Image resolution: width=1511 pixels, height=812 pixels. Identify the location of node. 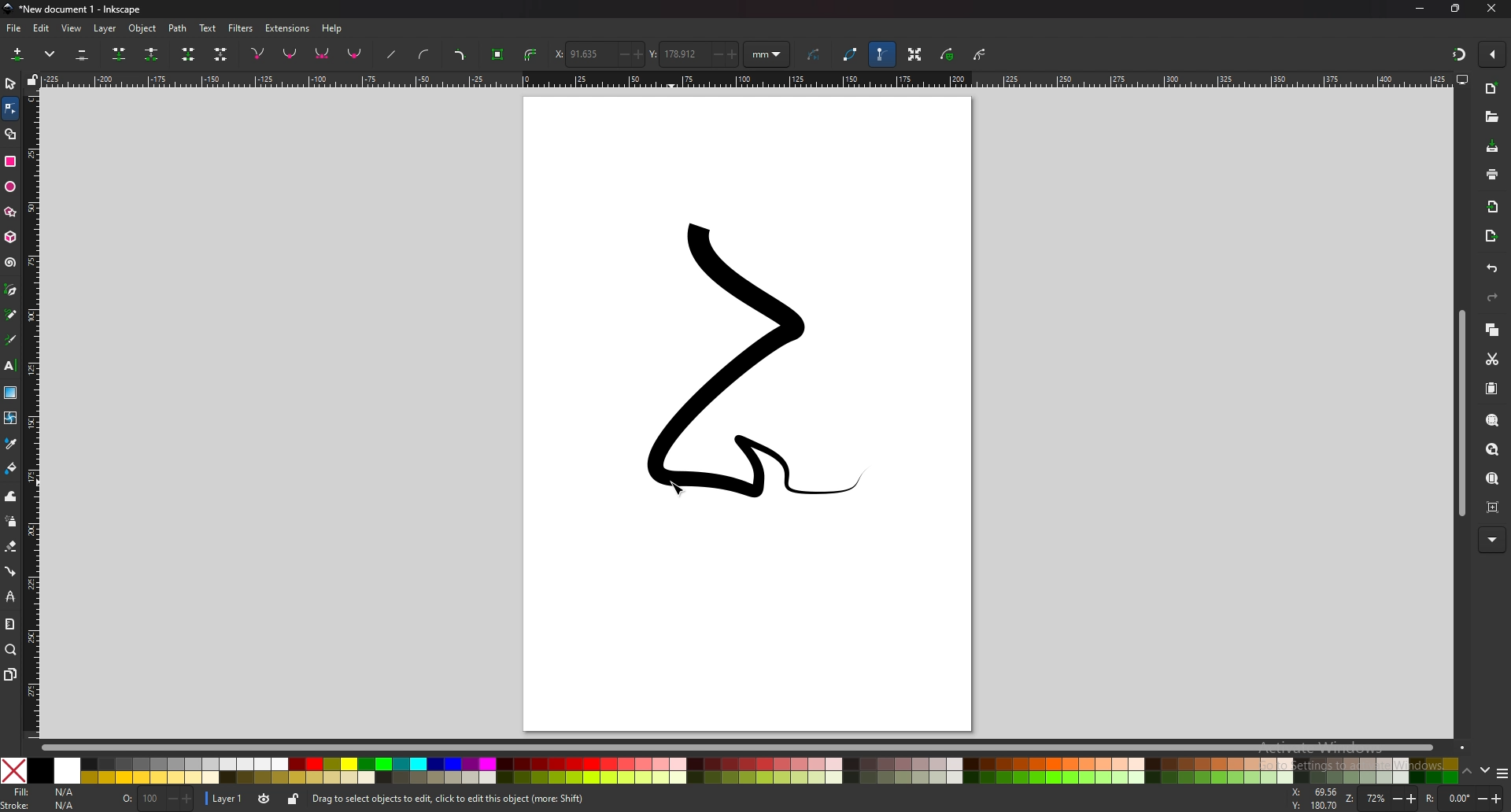
(10, 109).